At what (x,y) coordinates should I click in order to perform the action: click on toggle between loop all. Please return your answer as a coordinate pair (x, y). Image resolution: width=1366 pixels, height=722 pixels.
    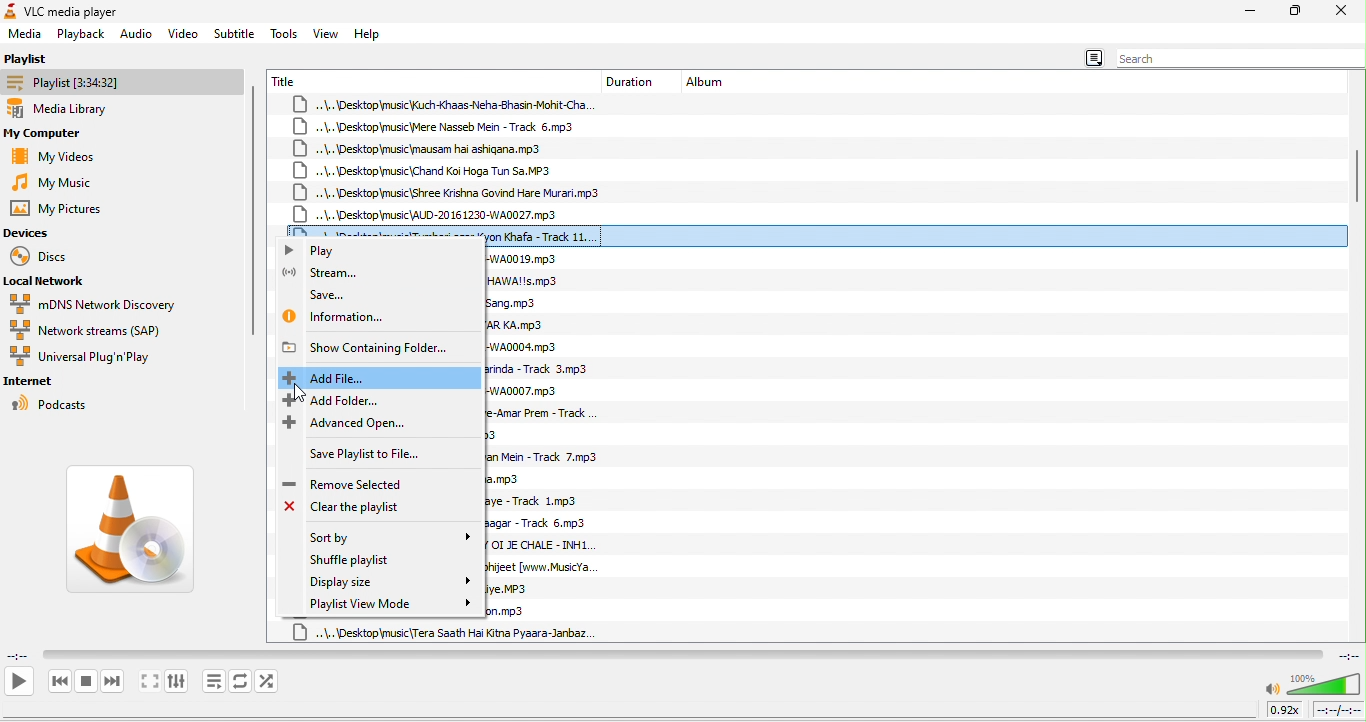
    Looking at the image, I should click on (241, 681).